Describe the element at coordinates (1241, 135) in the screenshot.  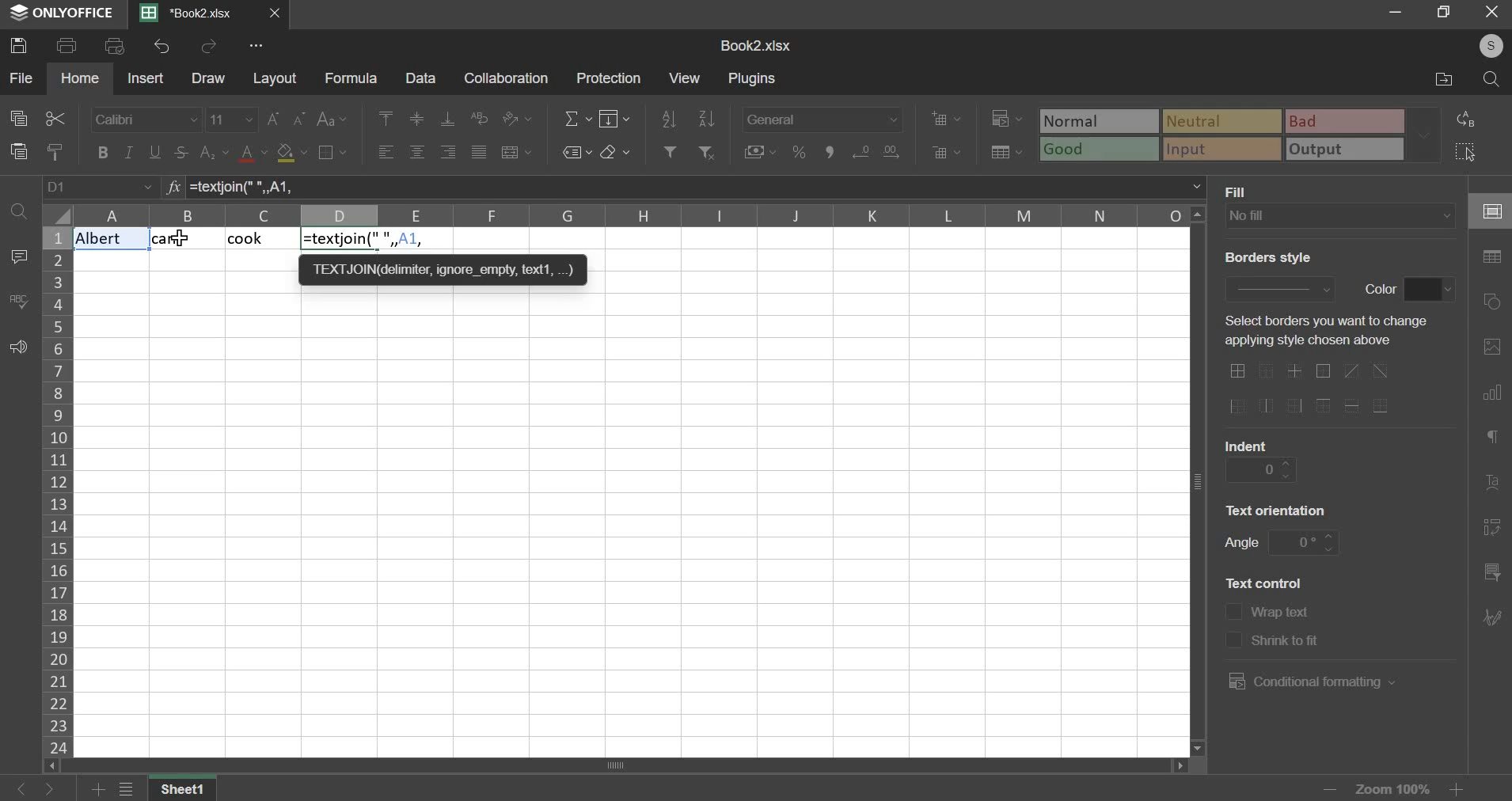
I see `type` at that location.